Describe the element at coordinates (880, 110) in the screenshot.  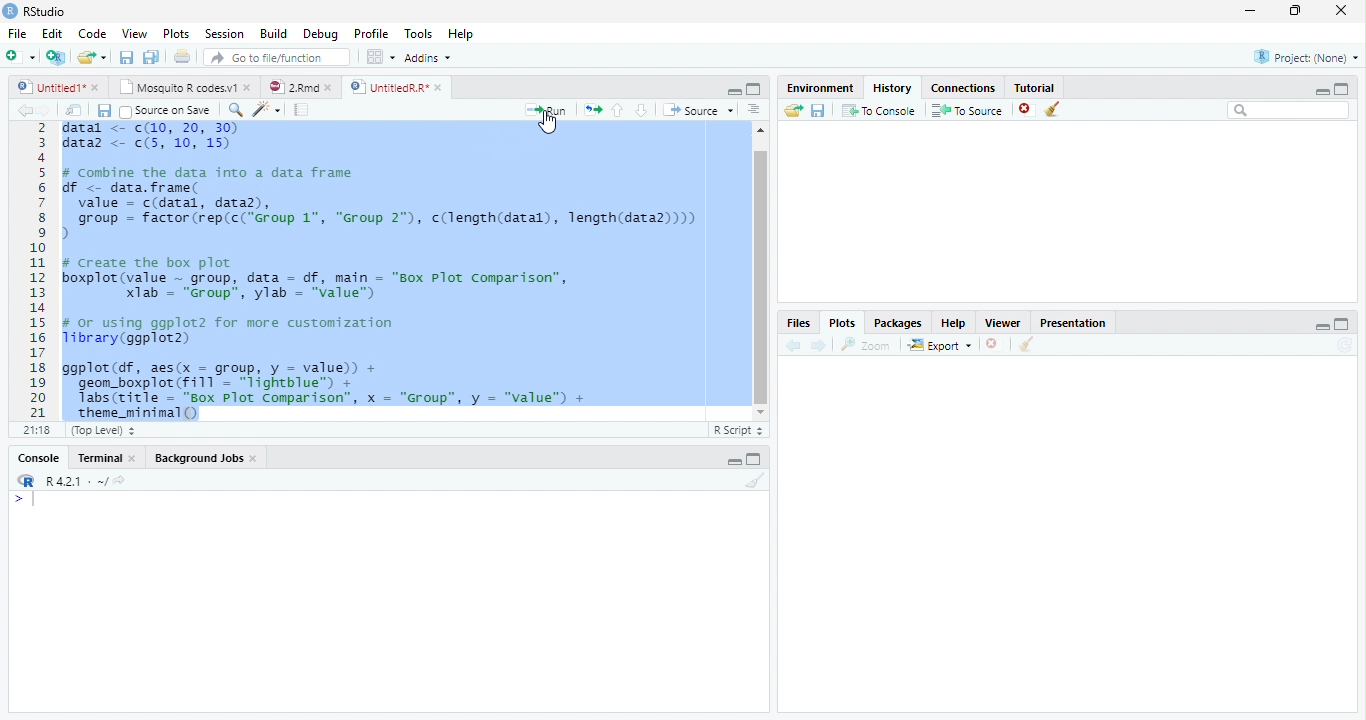
I see `To Console` at that location.